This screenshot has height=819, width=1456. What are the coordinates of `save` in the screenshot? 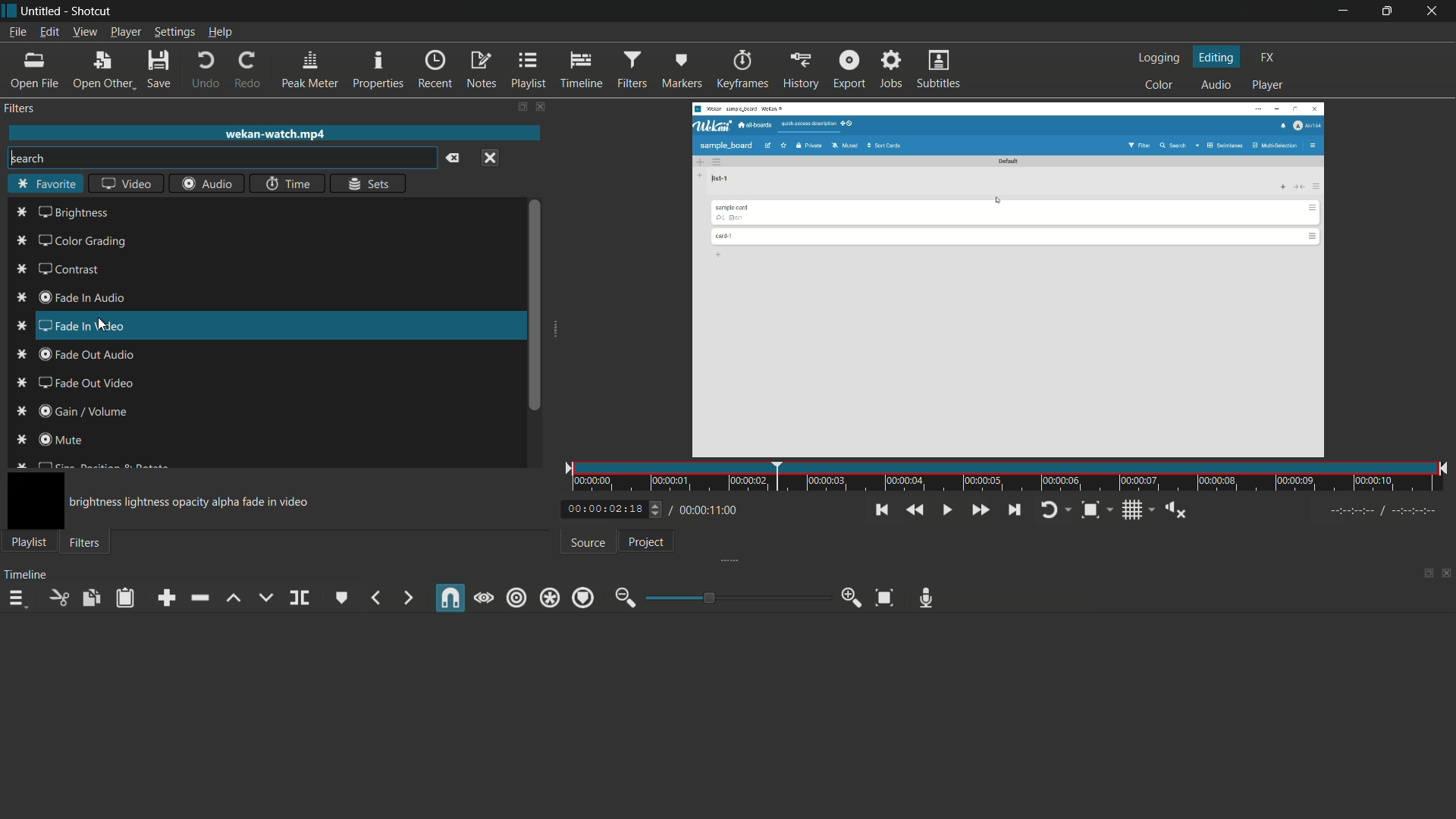 It's located at (158, 68).